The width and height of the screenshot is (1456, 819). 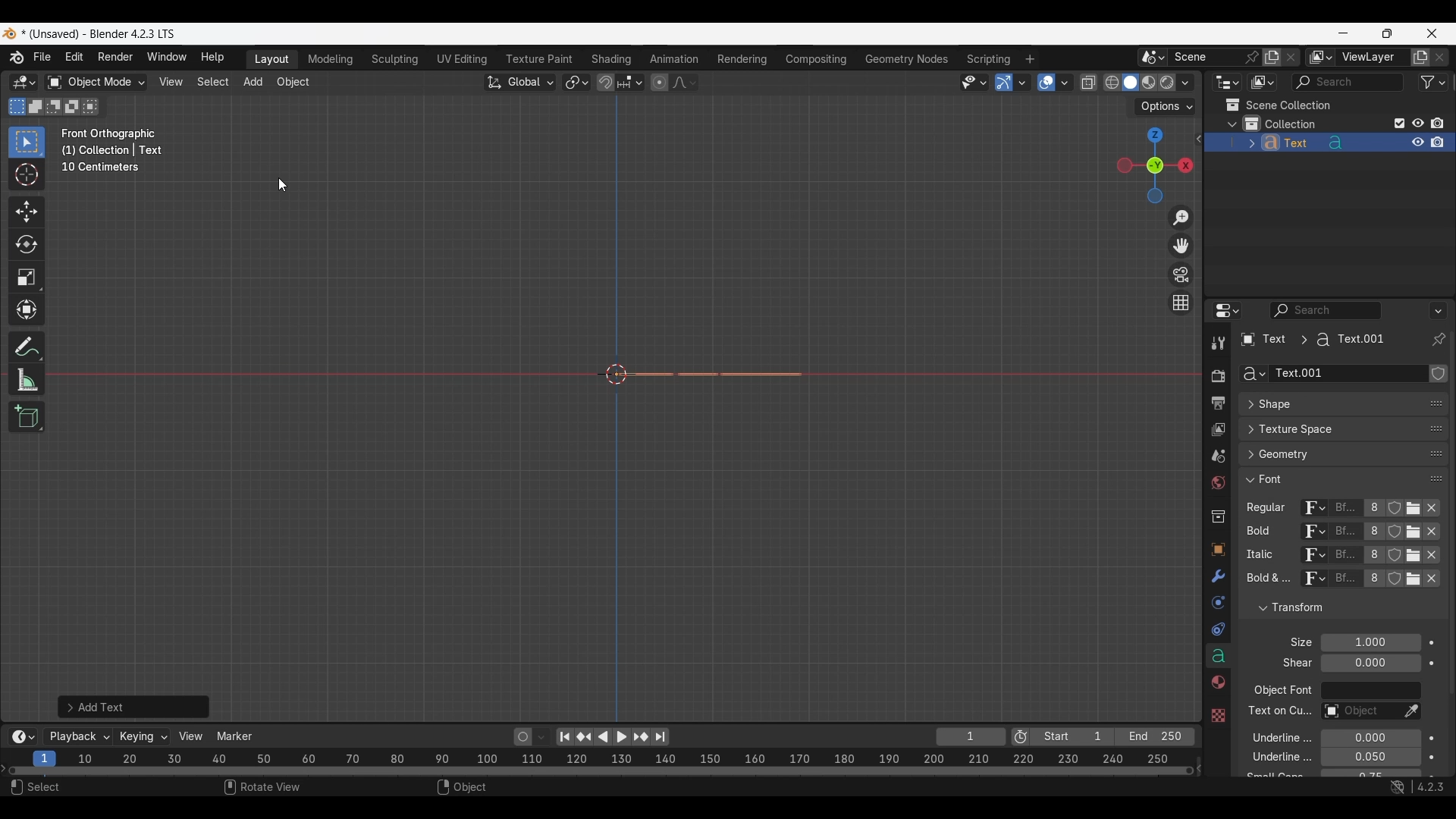 I want to click on , so click(x=1260, y=534).